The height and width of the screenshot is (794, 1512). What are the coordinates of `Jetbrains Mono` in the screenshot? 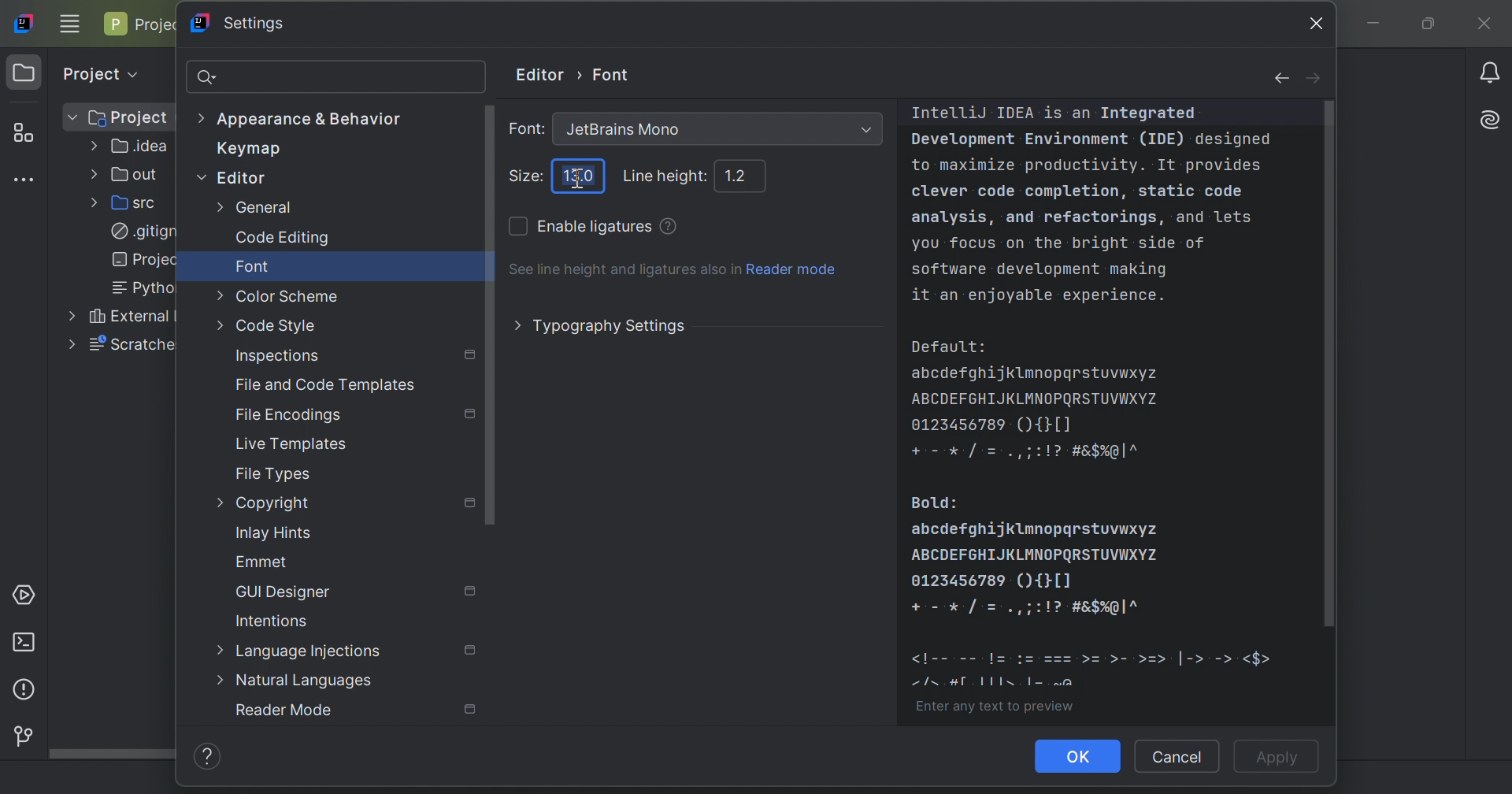 It's located at (622, 131).